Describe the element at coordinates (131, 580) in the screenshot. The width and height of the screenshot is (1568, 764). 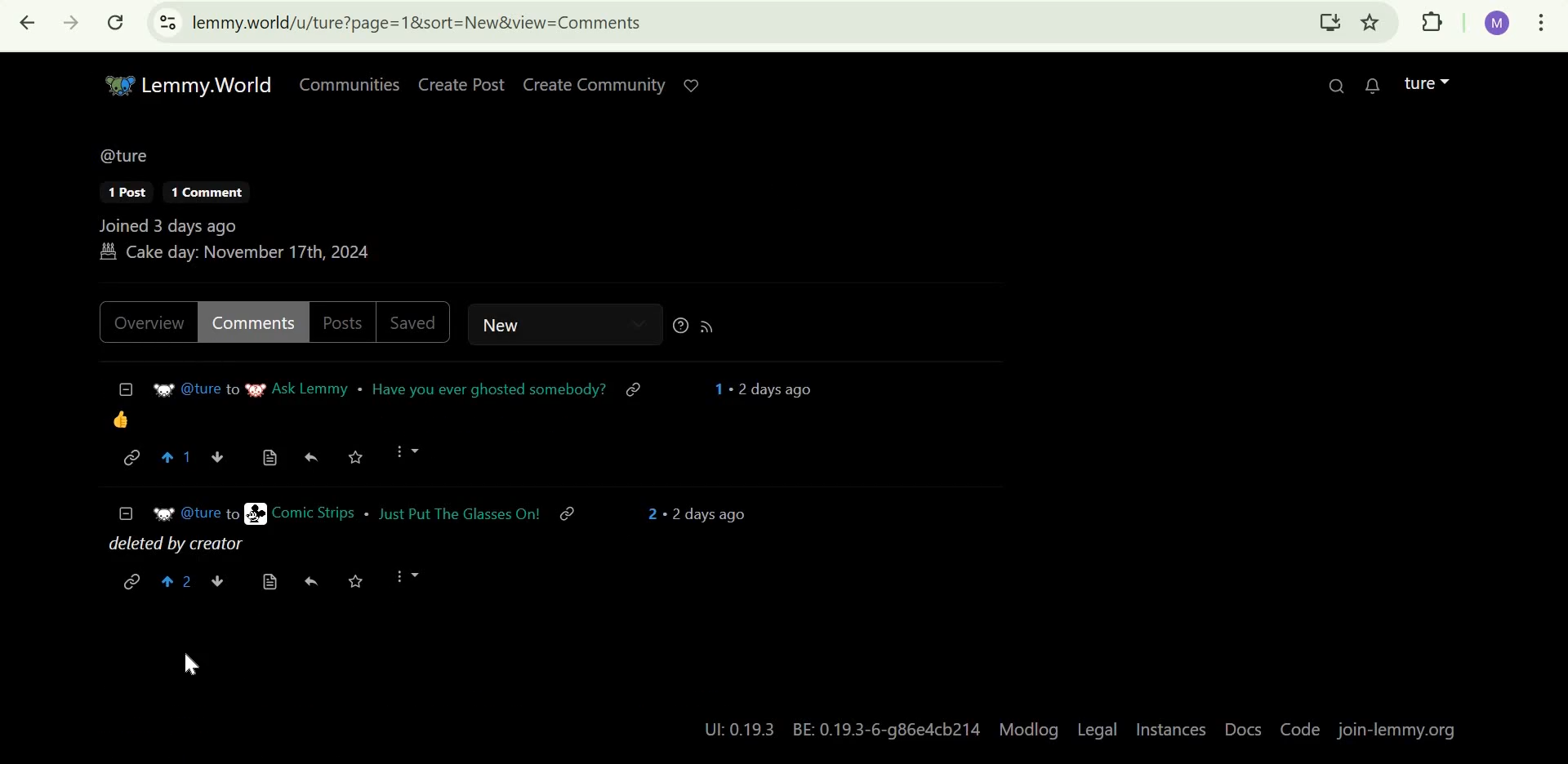
I see `link` at that location.